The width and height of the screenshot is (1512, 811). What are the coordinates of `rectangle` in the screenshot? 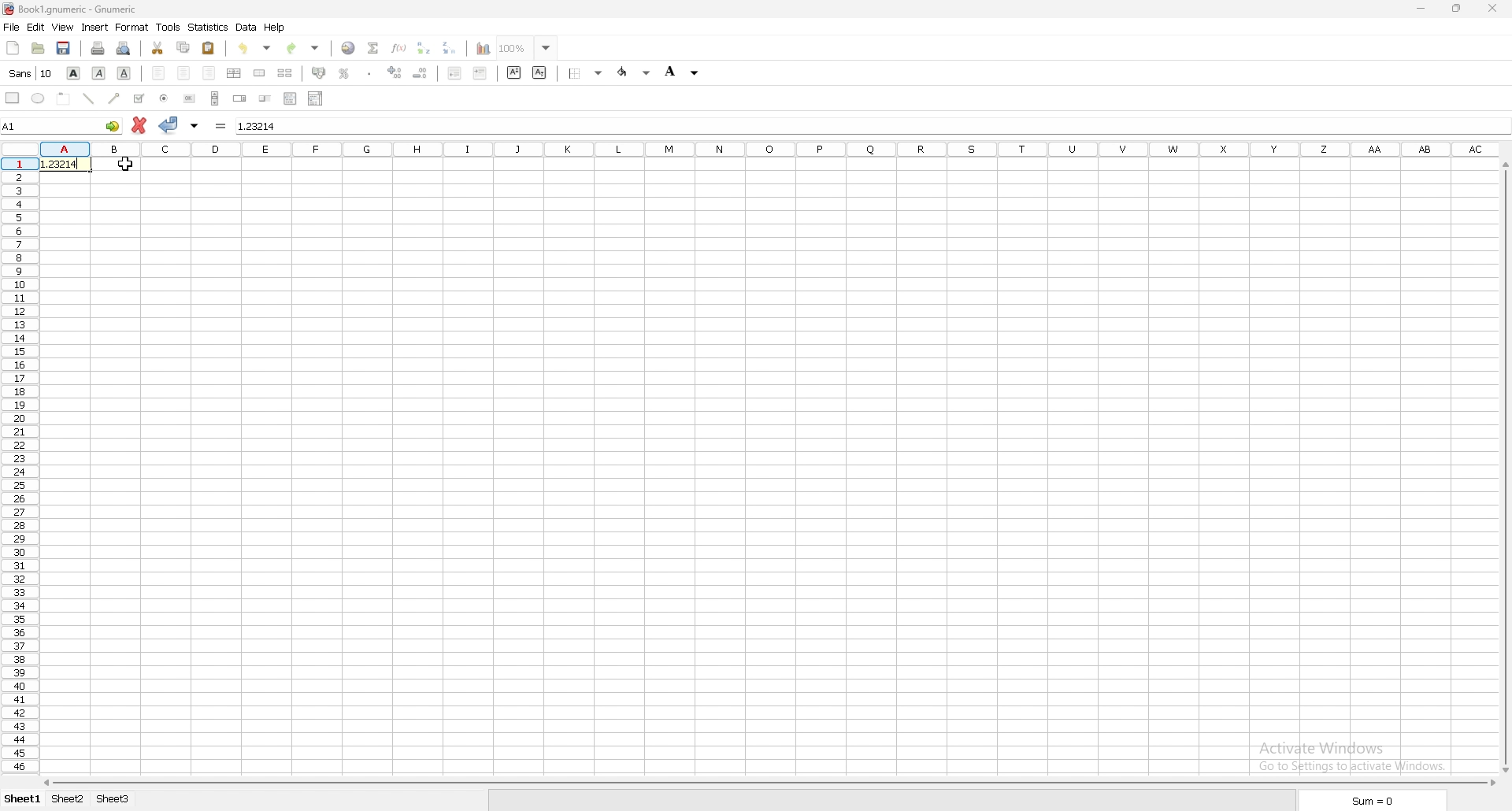 It's located at (13, 98).